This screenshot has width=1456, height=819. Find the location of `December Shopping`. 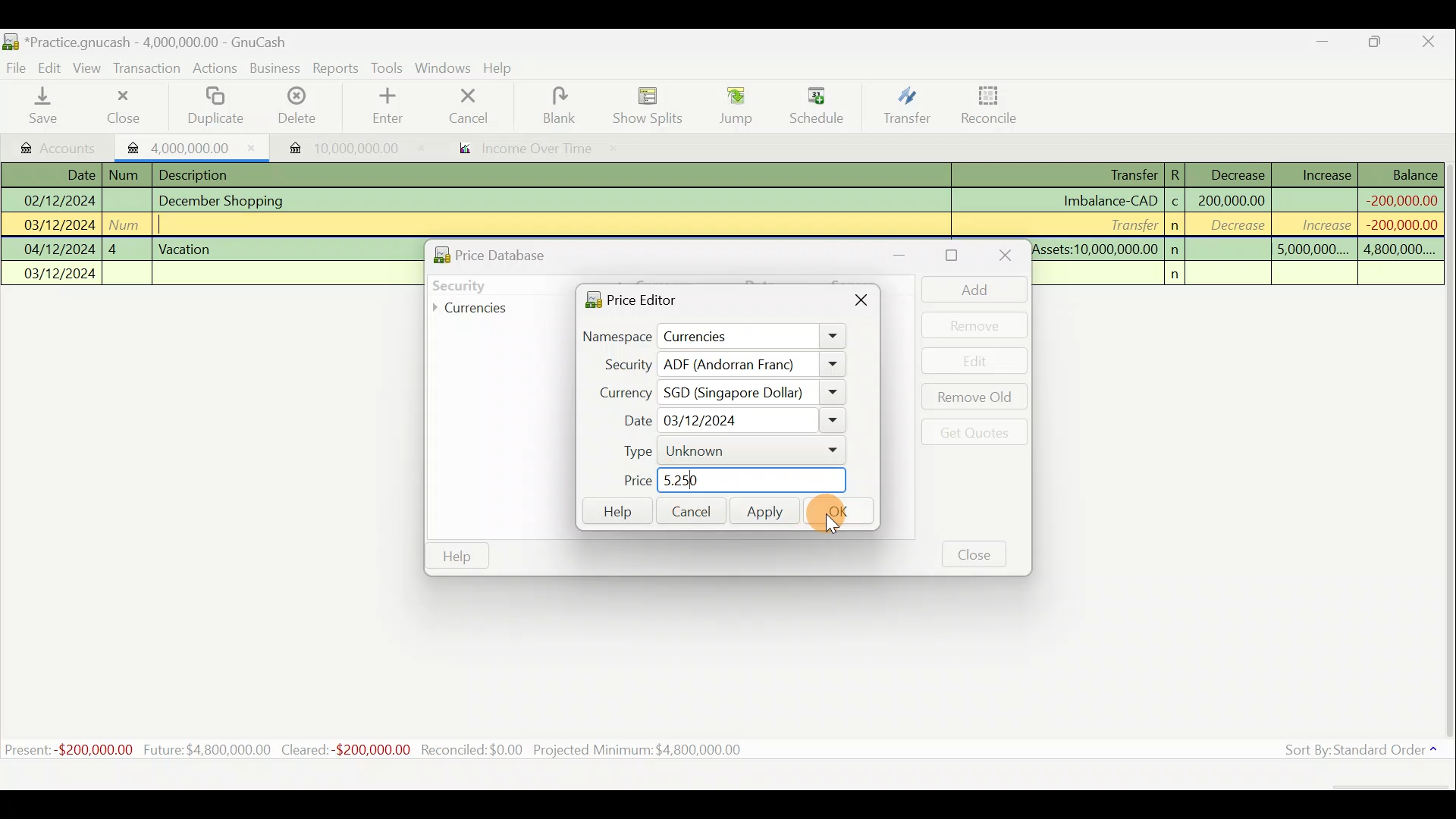

December Shopping is located at coordinates (228, 201).